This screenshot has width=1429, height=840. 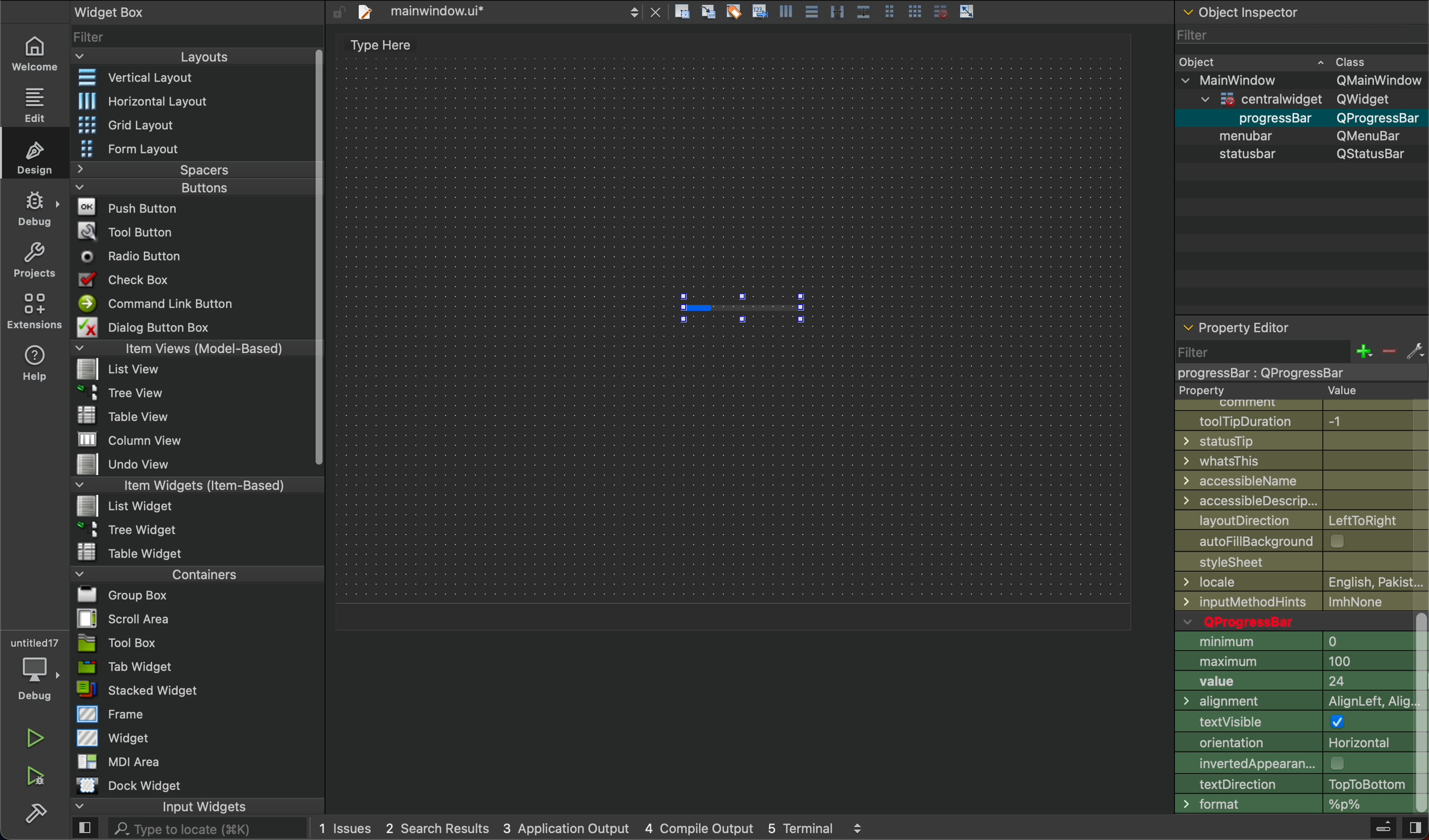 I want to click on Form Layout, so click(x=143, y=149).